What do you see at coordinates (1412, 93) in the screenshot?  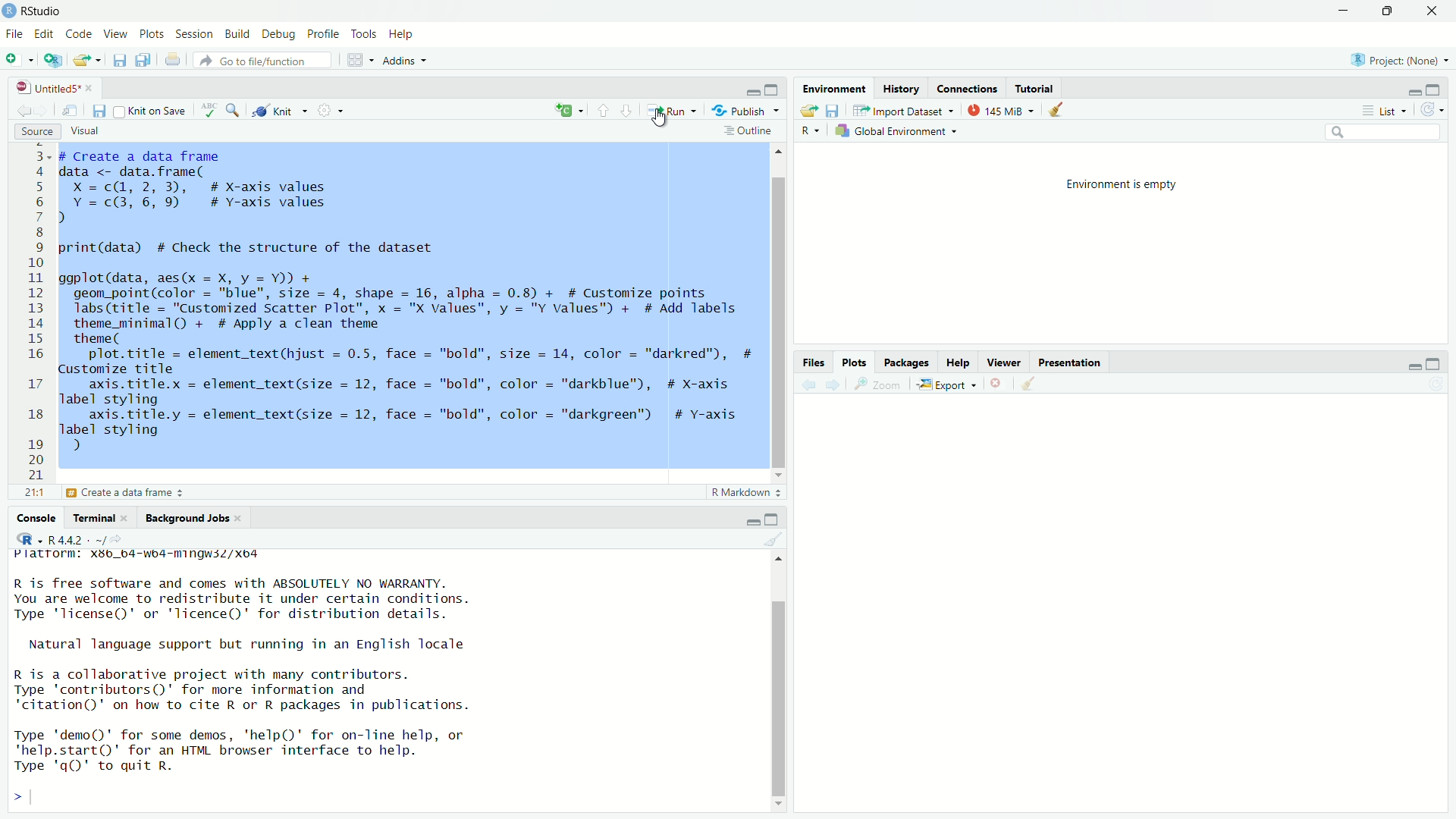 I see `Minimize` at bounding box center [1412, 93].